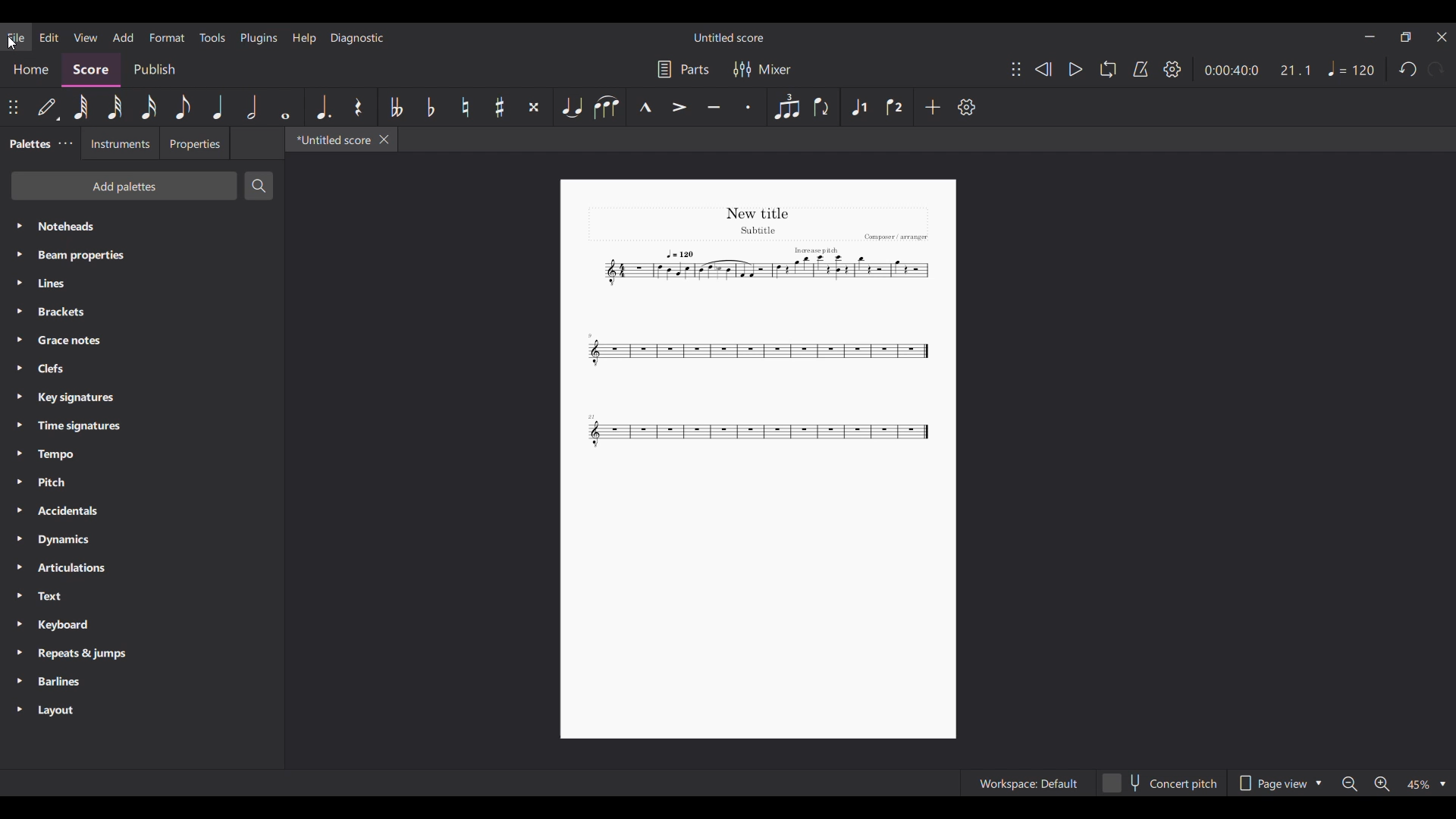 This screenshot has height=819, width=1456. What do you see at coordinates (466, 107) in the screenshot?
I see `Toggle natural` at bounding box center [466, 107].